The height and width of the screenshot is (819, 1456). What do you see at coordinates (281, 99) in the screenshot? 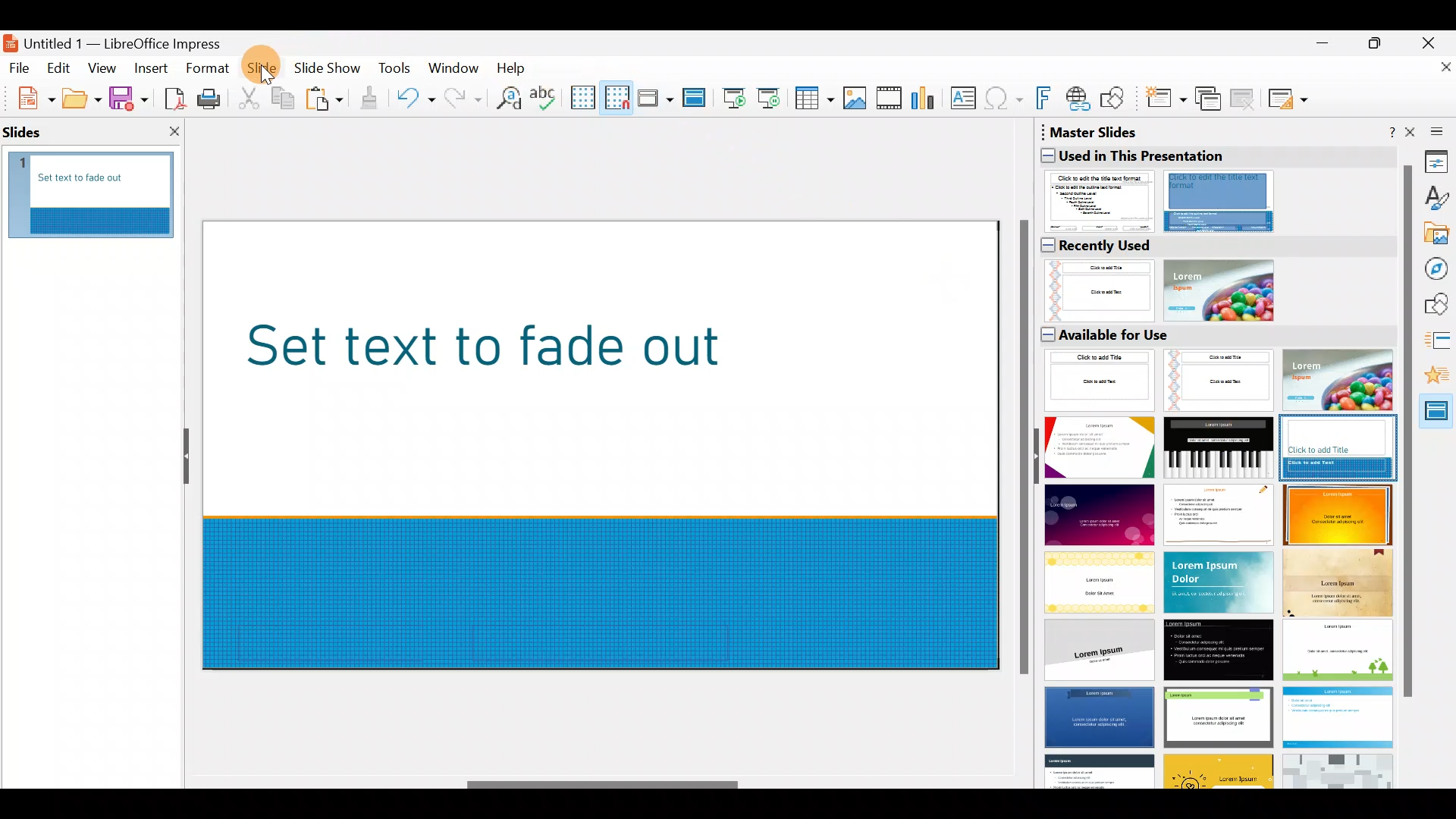
I see `Copy` at bounding box center [281, 99].